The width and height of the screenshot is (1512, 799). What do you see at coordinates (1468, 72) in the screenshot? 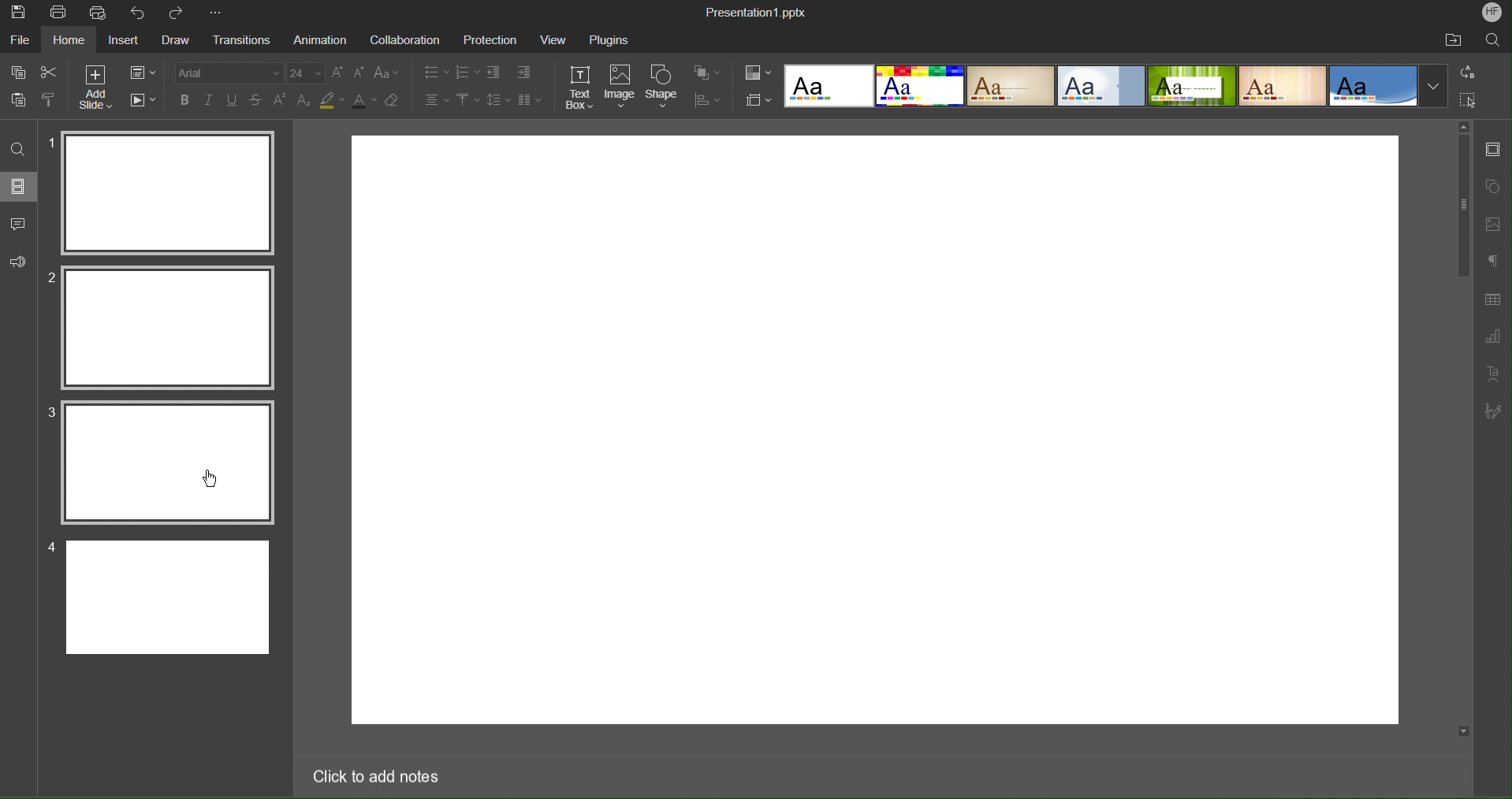
I see `Replace` at bounding box center [1468, 72].